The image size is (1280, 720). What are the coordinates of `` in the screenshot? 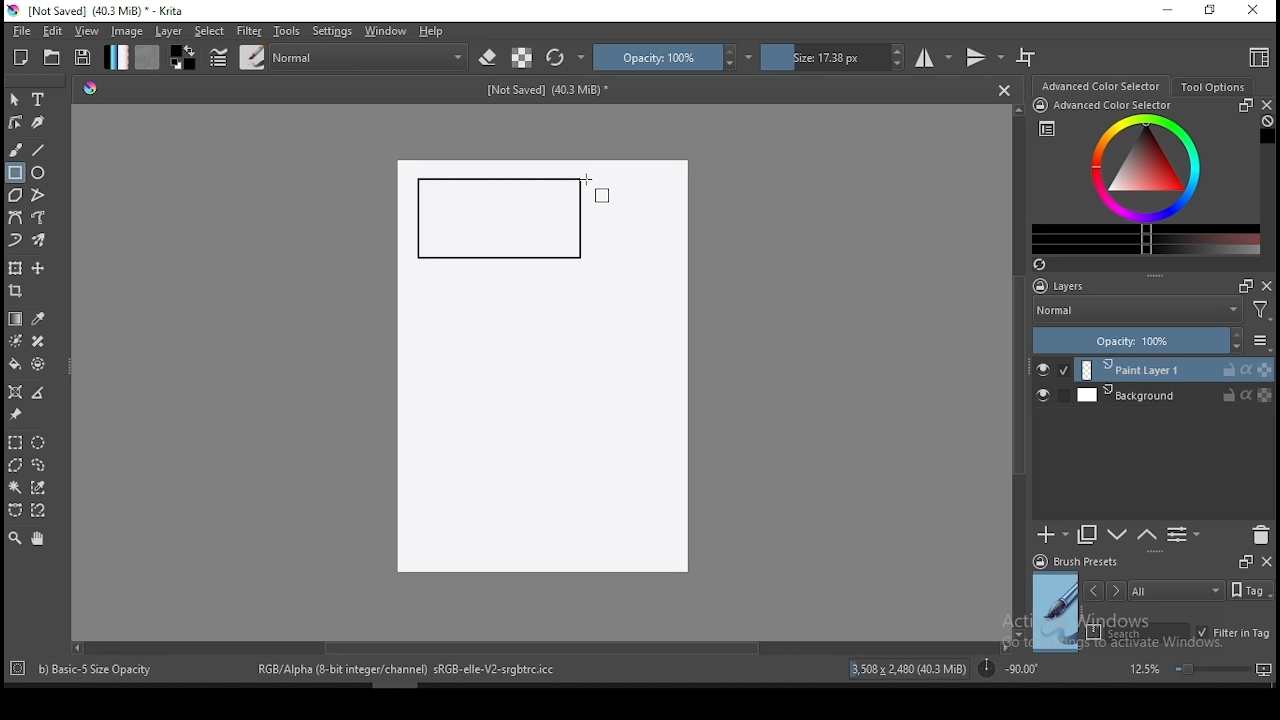 It's located at (985, 55).